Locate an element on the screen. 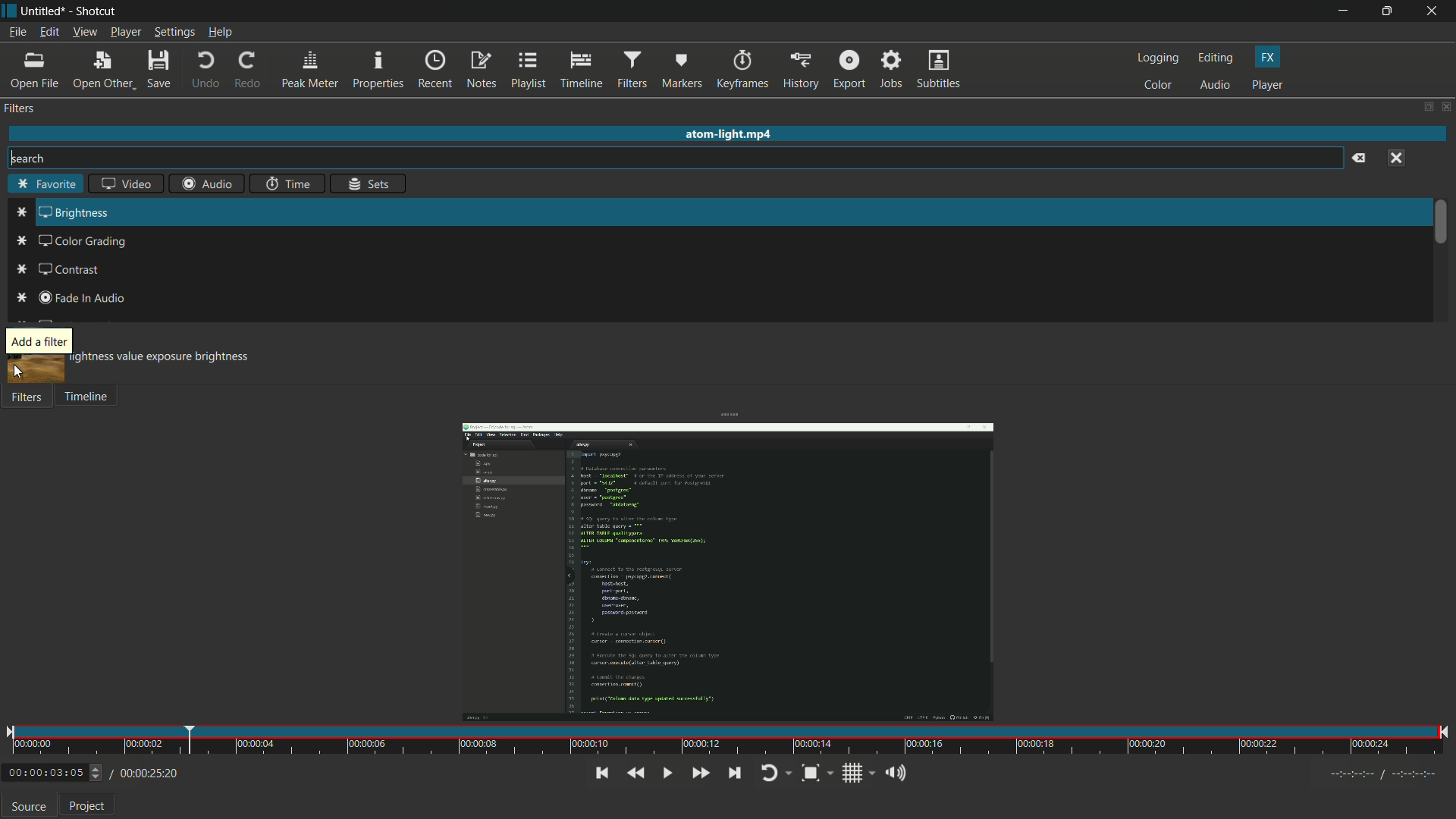  filters is located at coordinates (632, 70).